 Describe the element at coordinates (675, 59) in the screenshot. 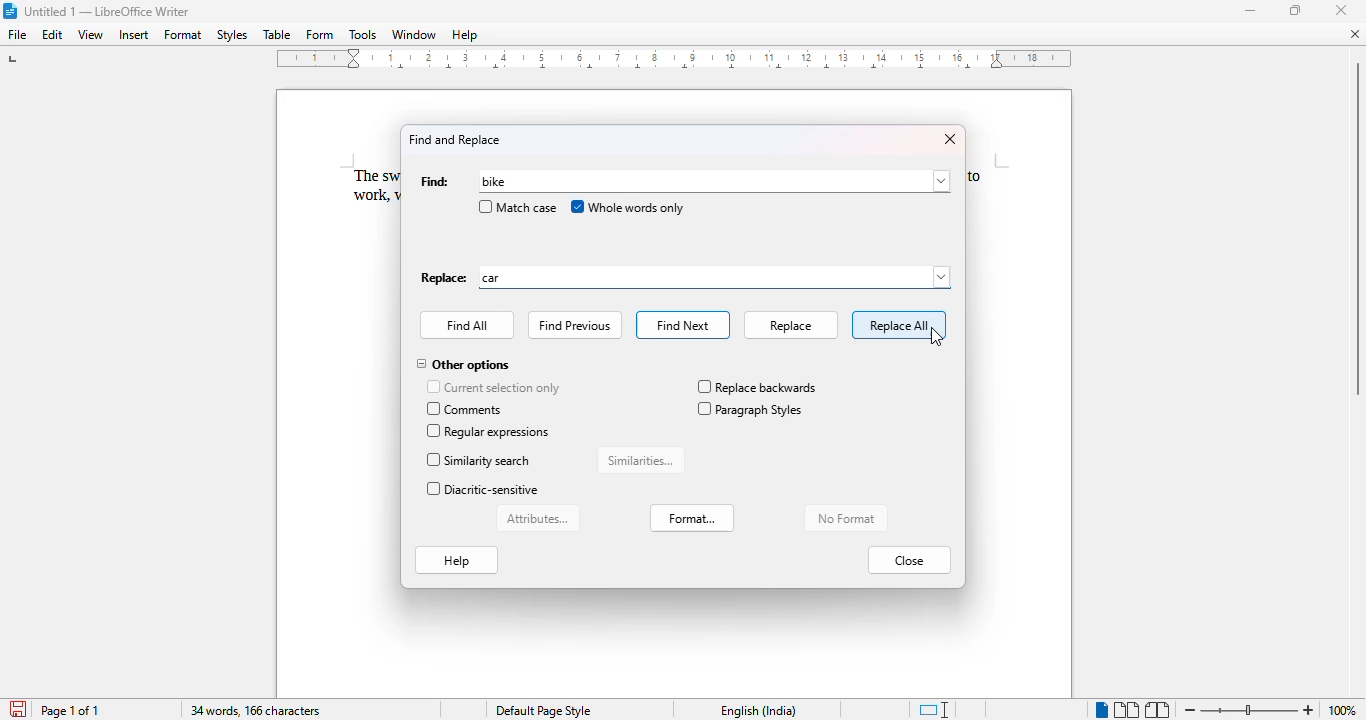

I see `ruler` at that location.